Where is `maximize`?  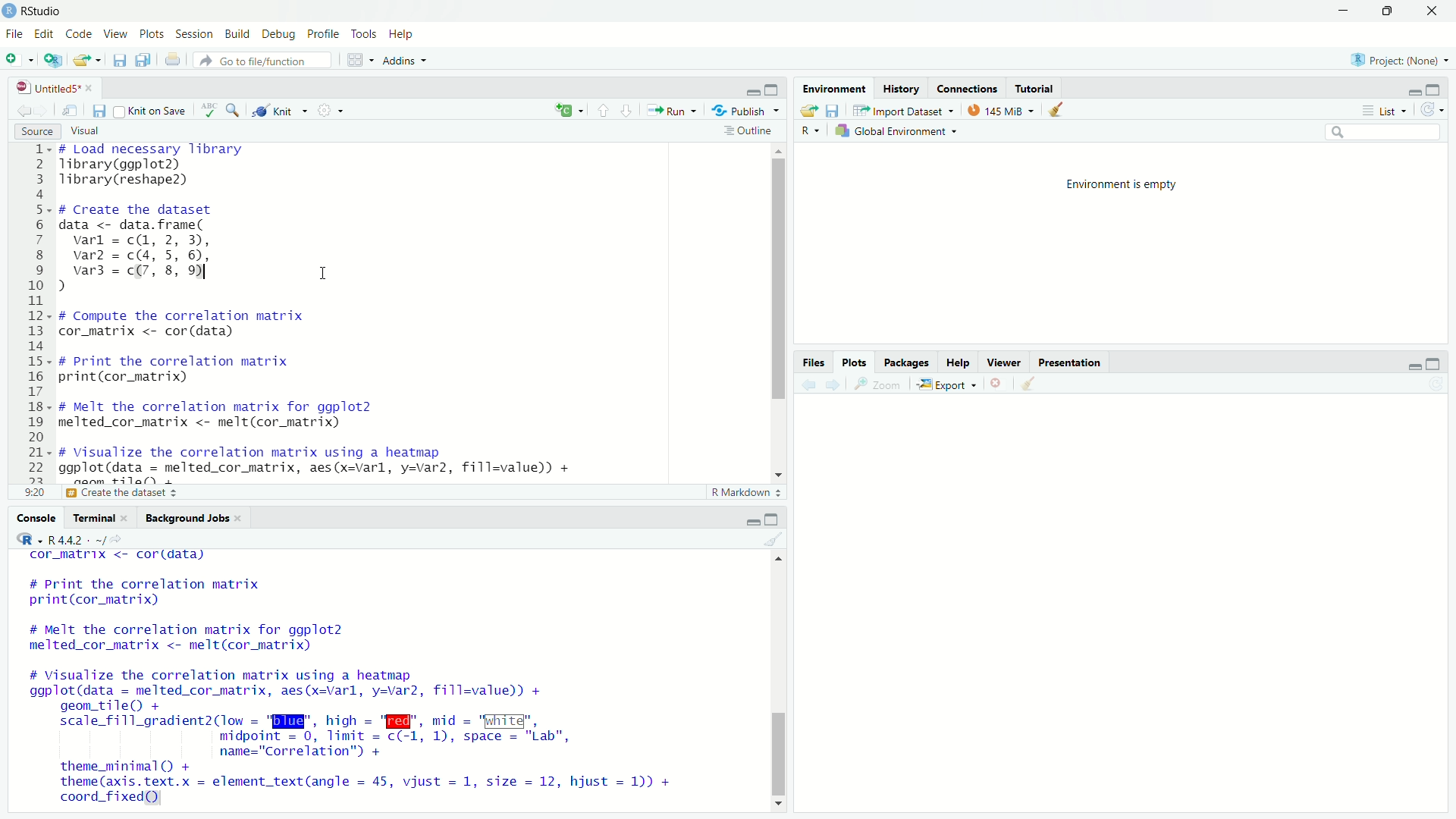 maximize is located at coordinates (773, 88).